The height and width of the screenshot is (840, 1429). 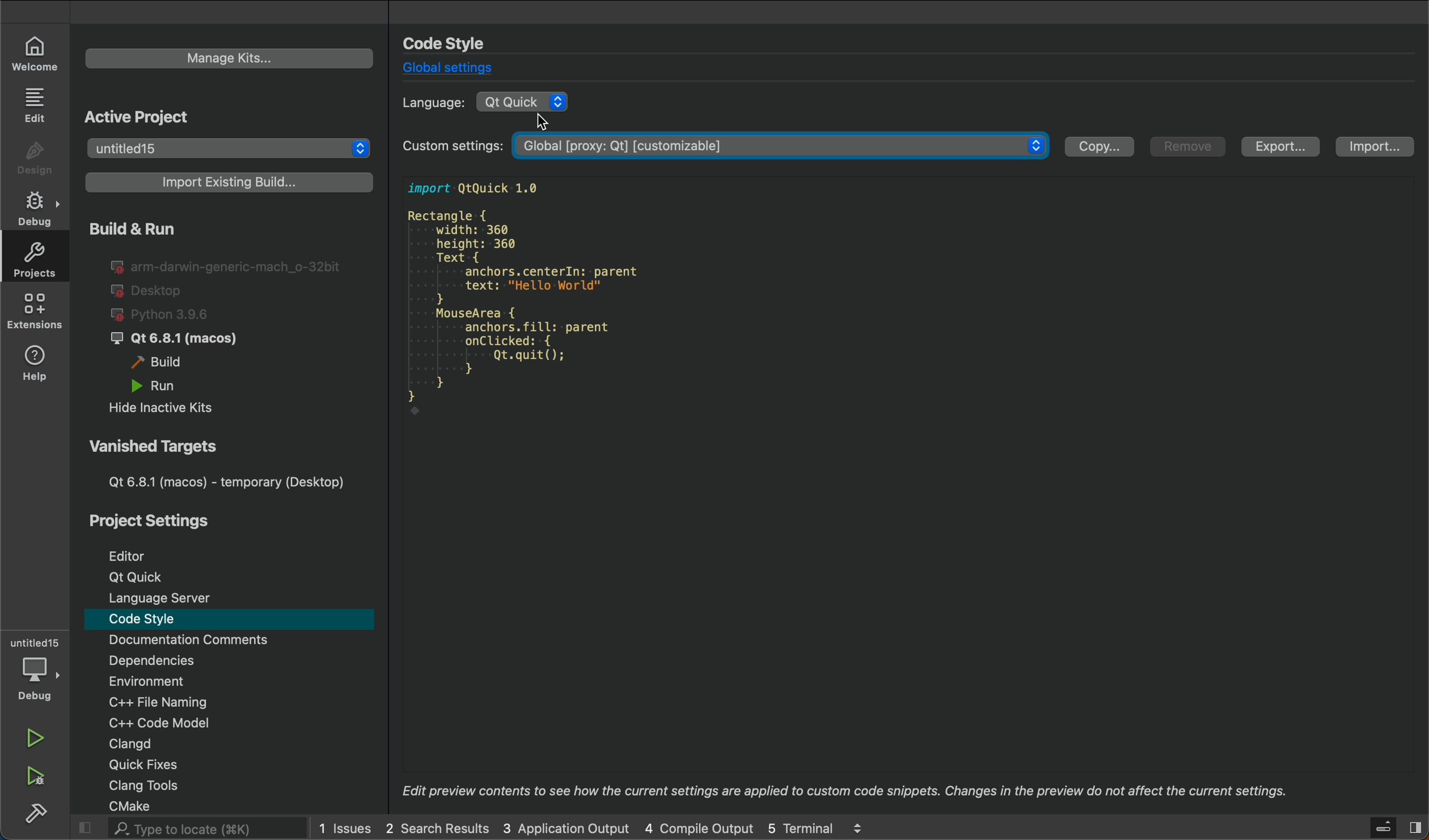 What do you see at coordinates (37, 105) in the screenshot?
I see `edit` at bounding box center [37, 105].